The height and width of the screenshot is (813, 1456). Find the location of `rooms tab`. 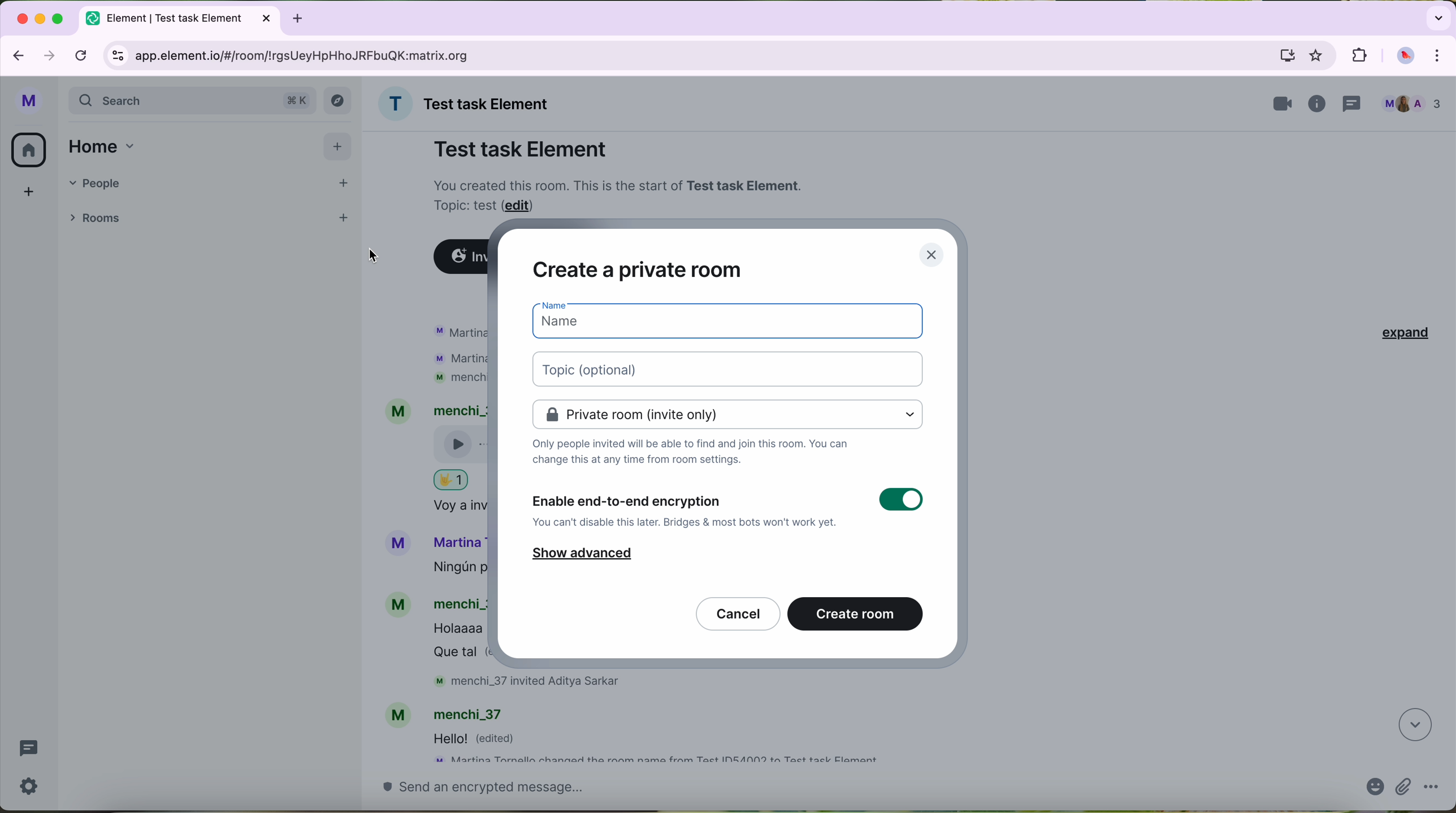

rooms tab is located at coordinates (98, 216).